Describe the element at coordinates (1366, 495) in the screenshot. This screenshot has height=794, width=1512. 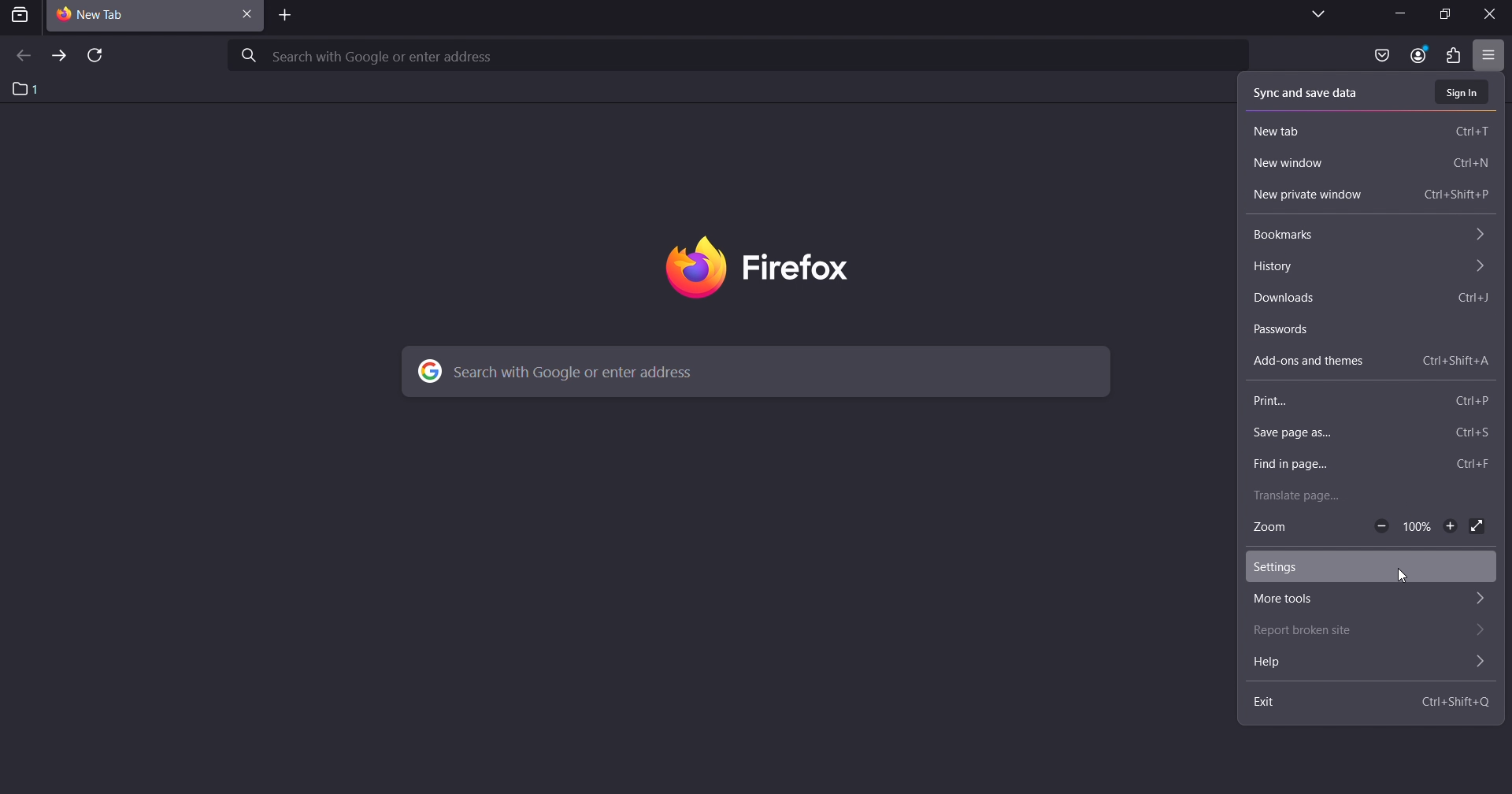
I see `translate page` at that location.